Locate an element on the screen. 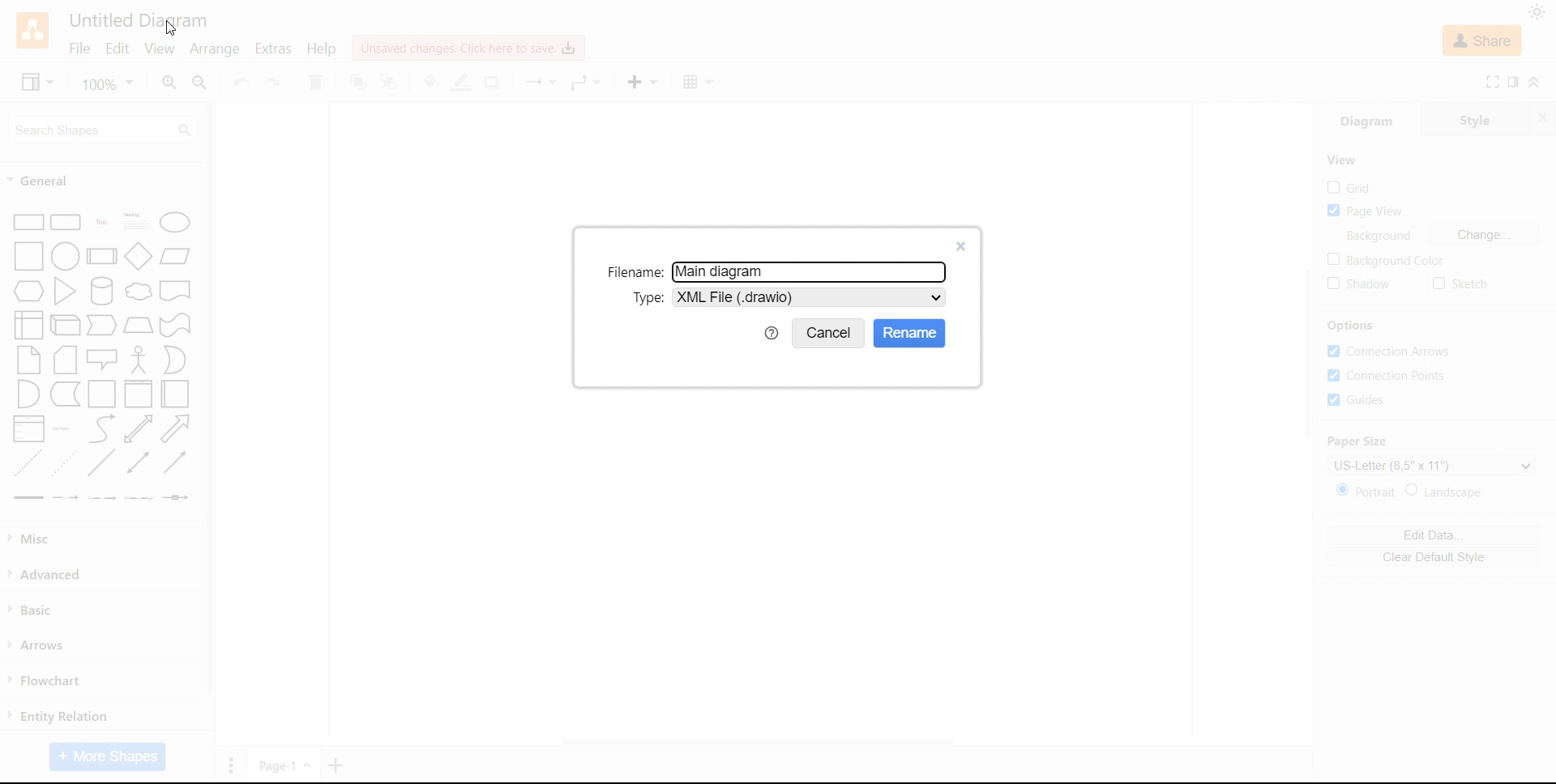 Image resolution: width=1556 pixels, height=784 pixels. Page view  is located at coordinates (1366, 211).